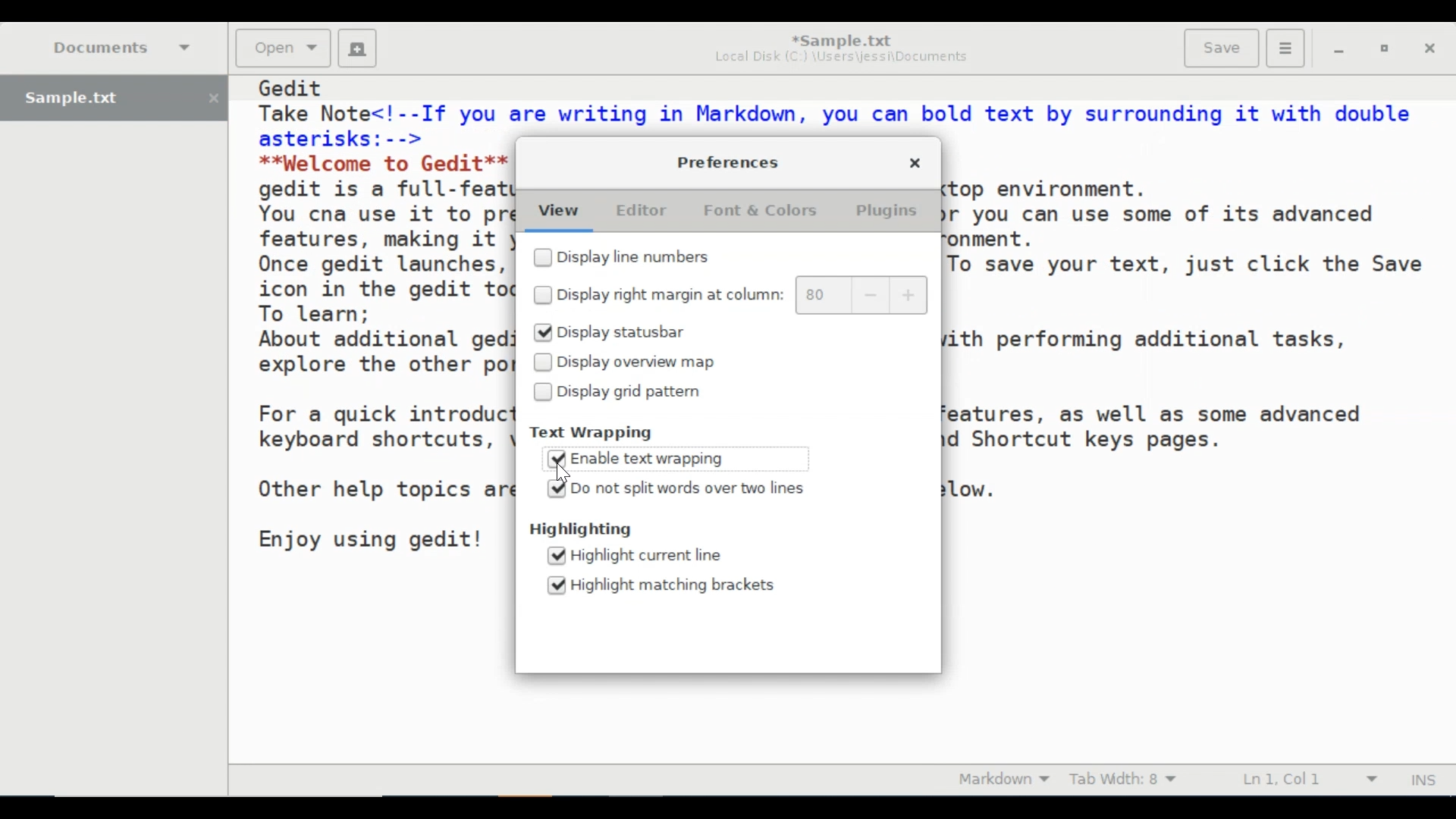  What do you see at coordinates (1221, 48) in the screenshot?
I see `Save` at bounding box center [1221, 48].